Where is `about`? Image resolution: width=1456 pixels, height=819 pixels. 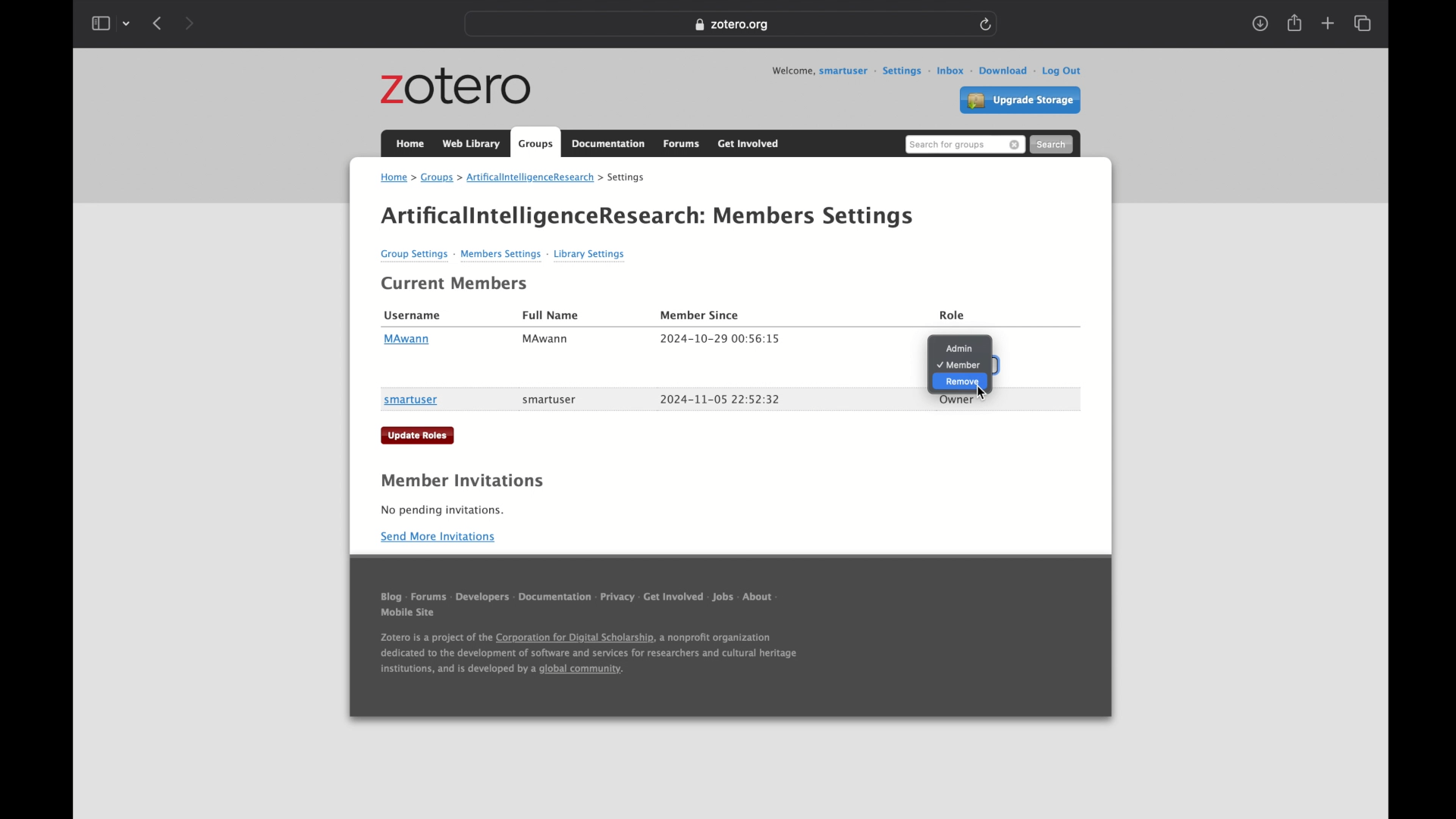
about is located at coordinates (762, 601).